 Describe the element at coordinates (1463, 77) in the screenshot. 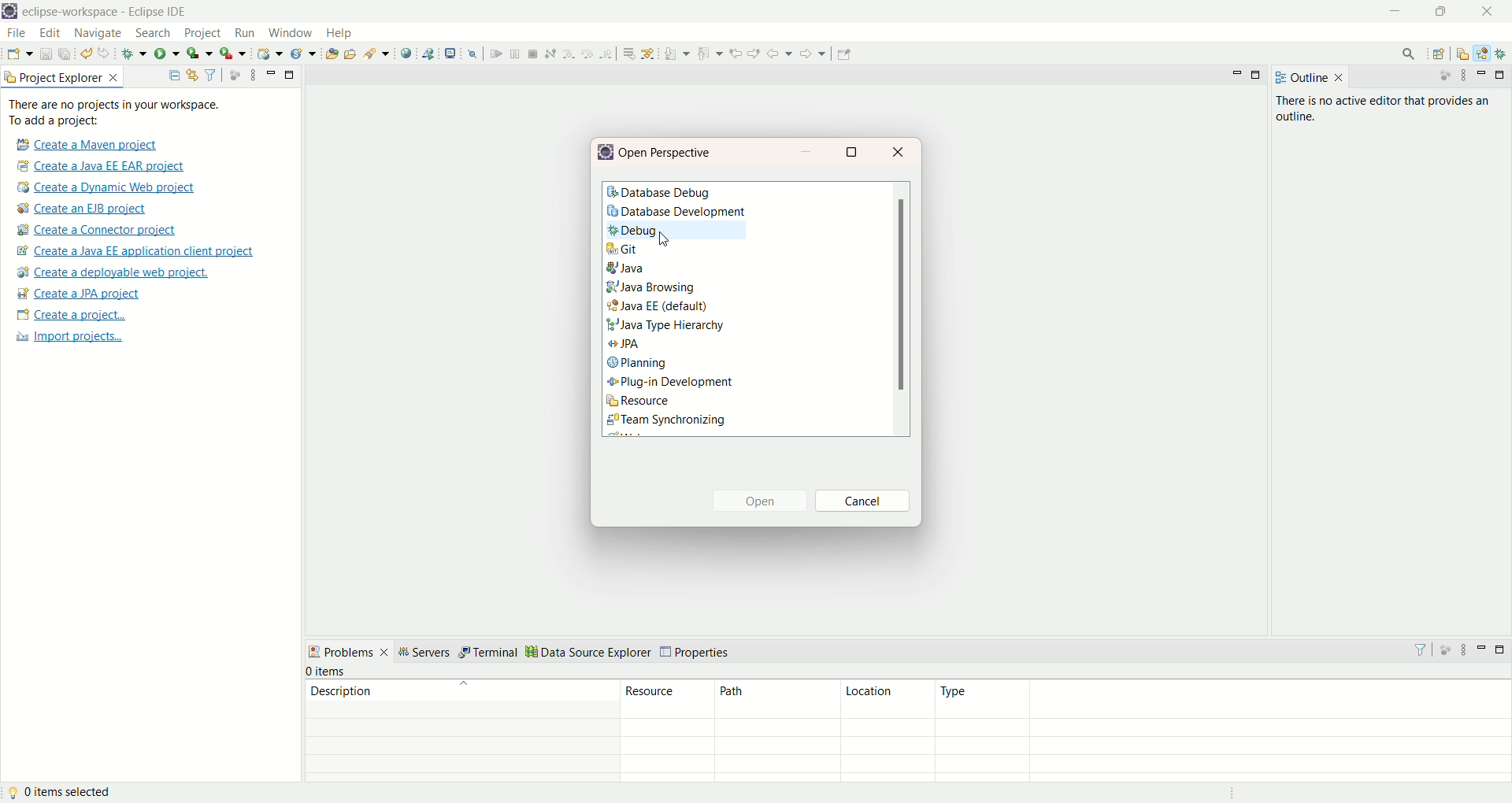

I see `view menu` at that location.